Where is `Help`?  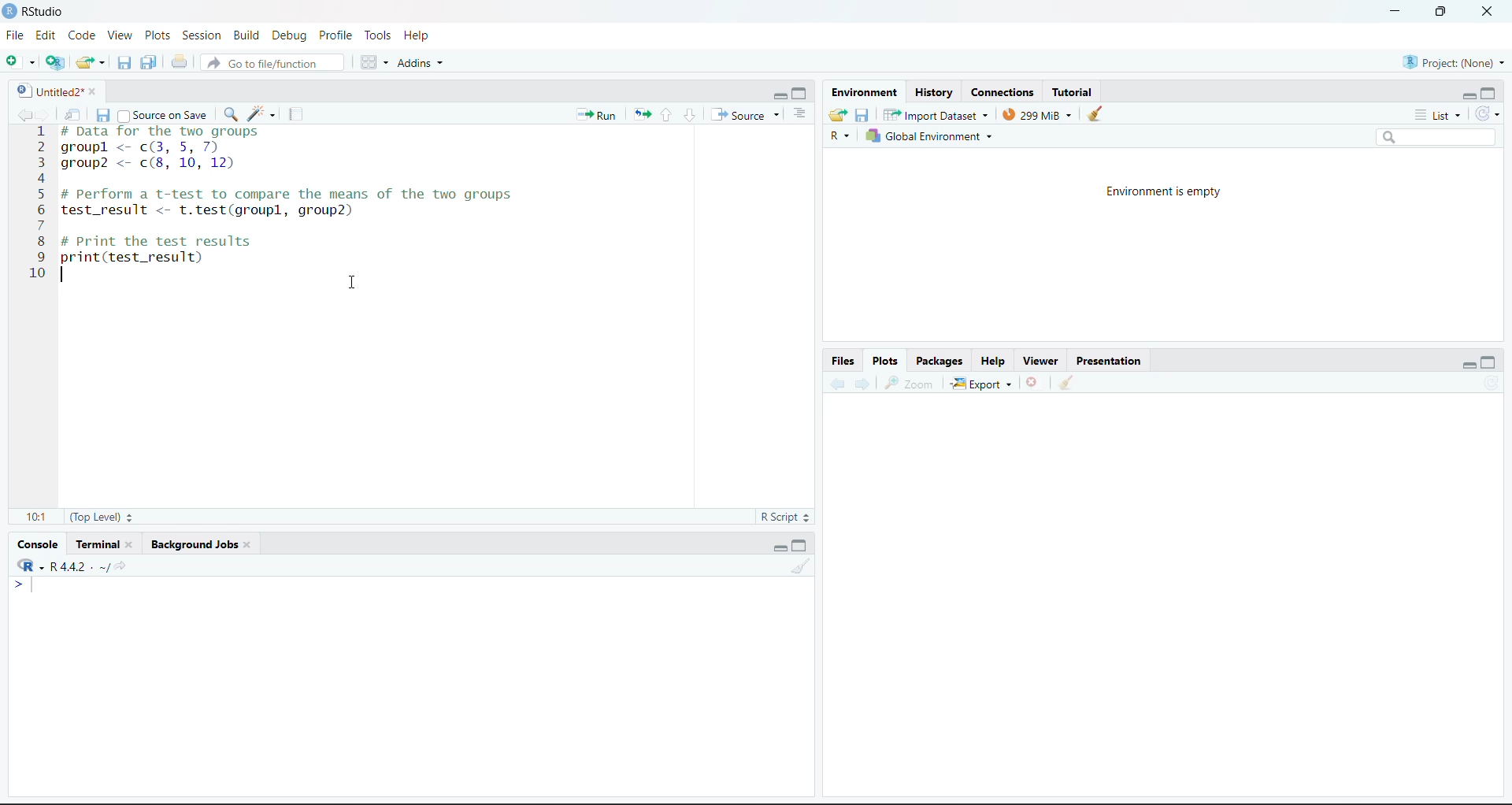
Help is located at coordinates (421, 36).